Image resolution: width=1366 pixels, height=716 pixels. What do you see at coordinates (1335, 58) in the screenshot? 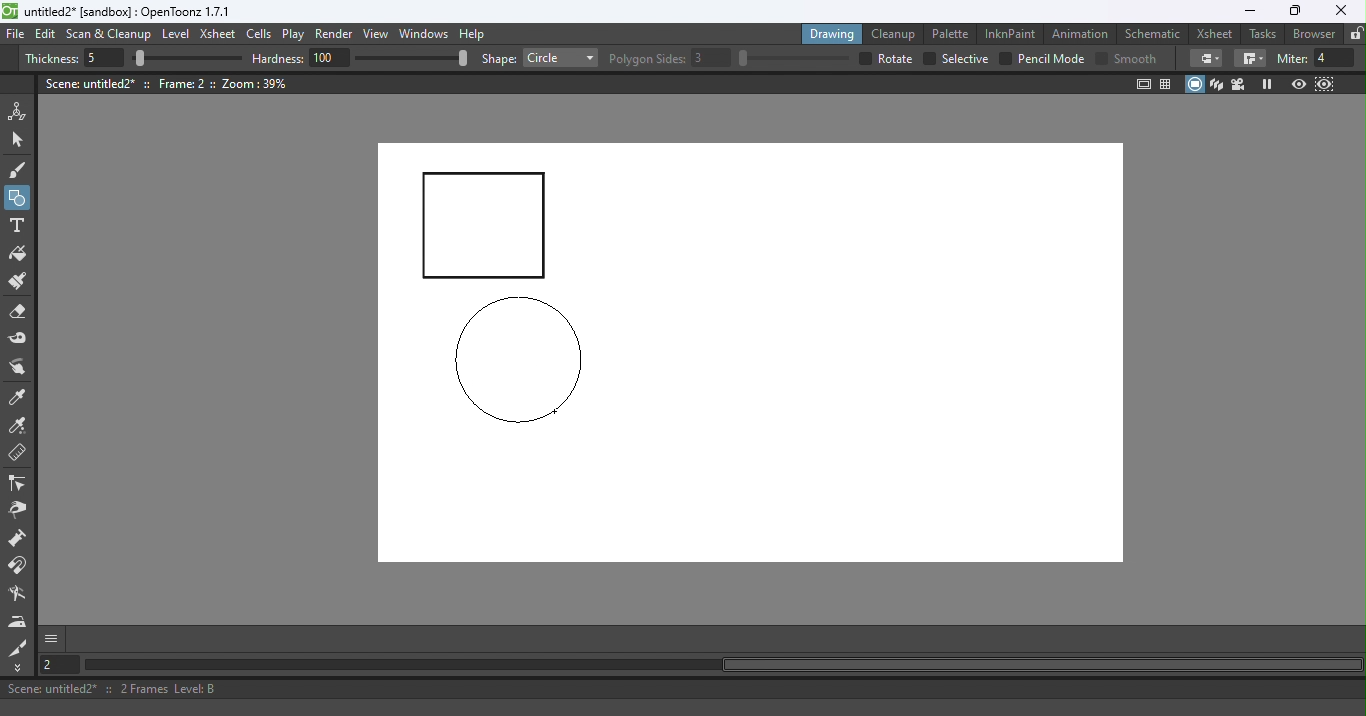
I see `4` at bounding box center [1335, 58].